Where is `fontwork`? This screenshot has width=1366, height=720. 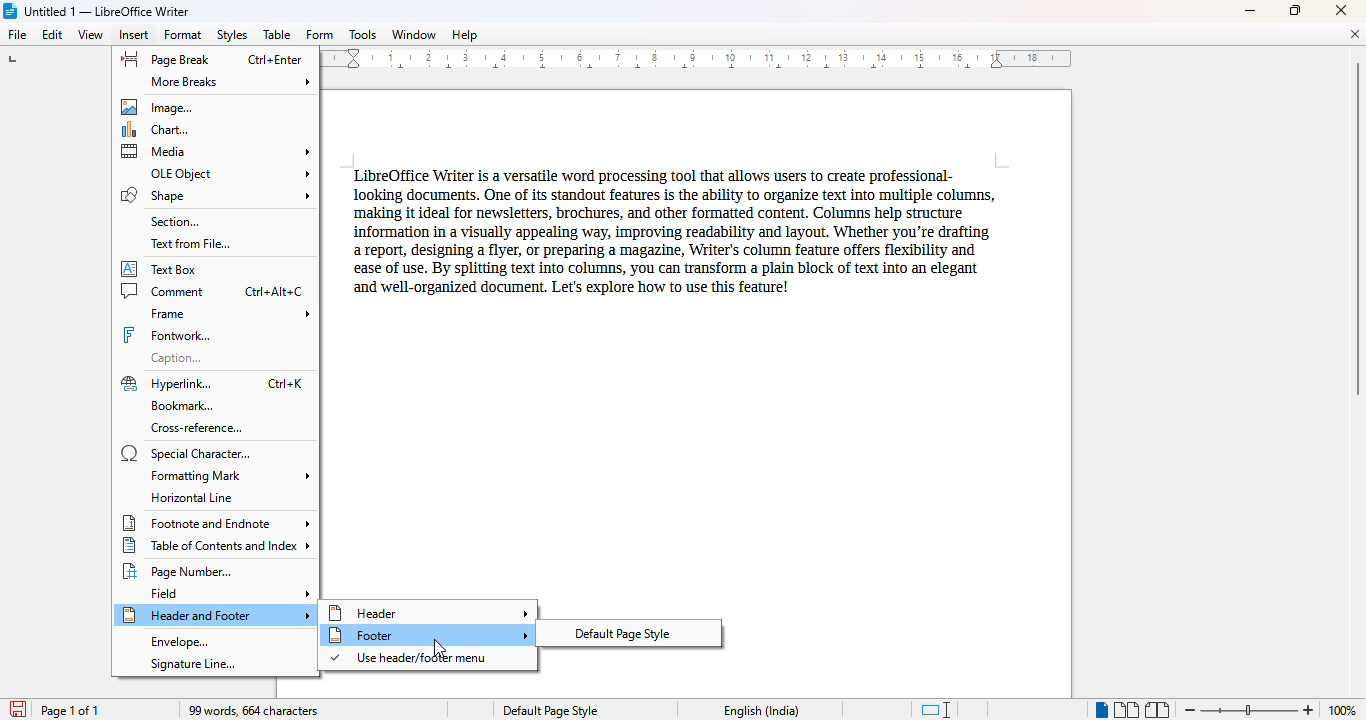 fontwork is located at coordinates (167, 335).